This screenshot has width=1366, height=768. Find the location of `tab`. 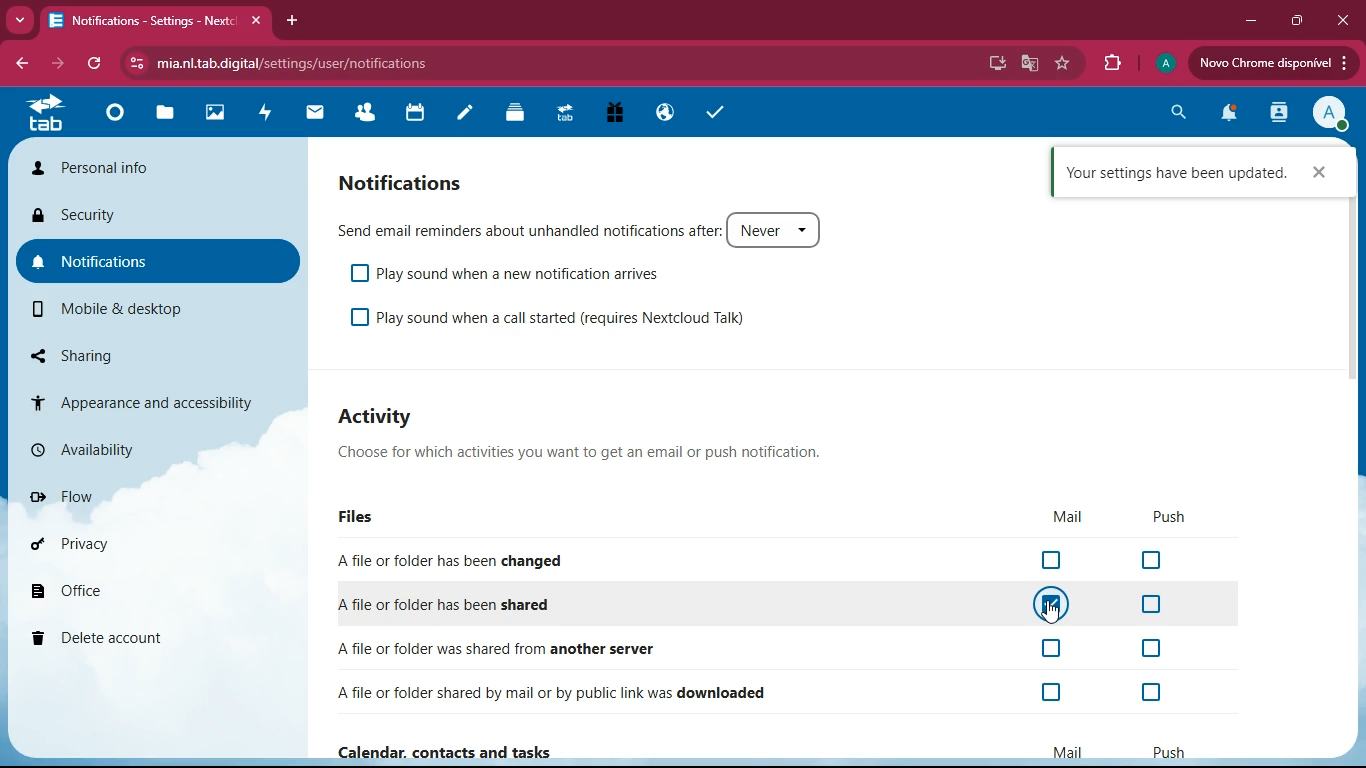

tab is located at coordinates (46, 114).